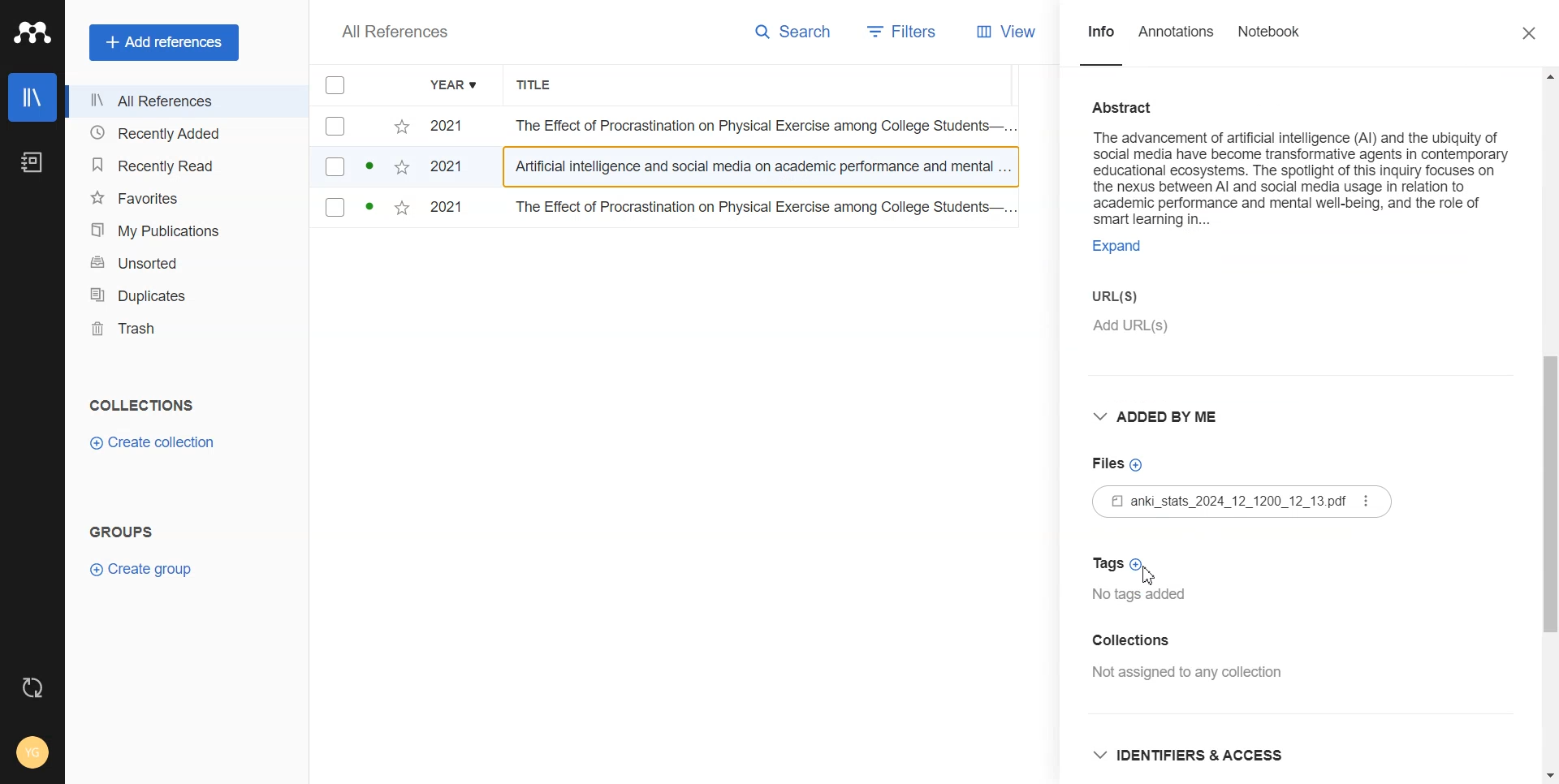  I want to click on File, so click(1241, 502).